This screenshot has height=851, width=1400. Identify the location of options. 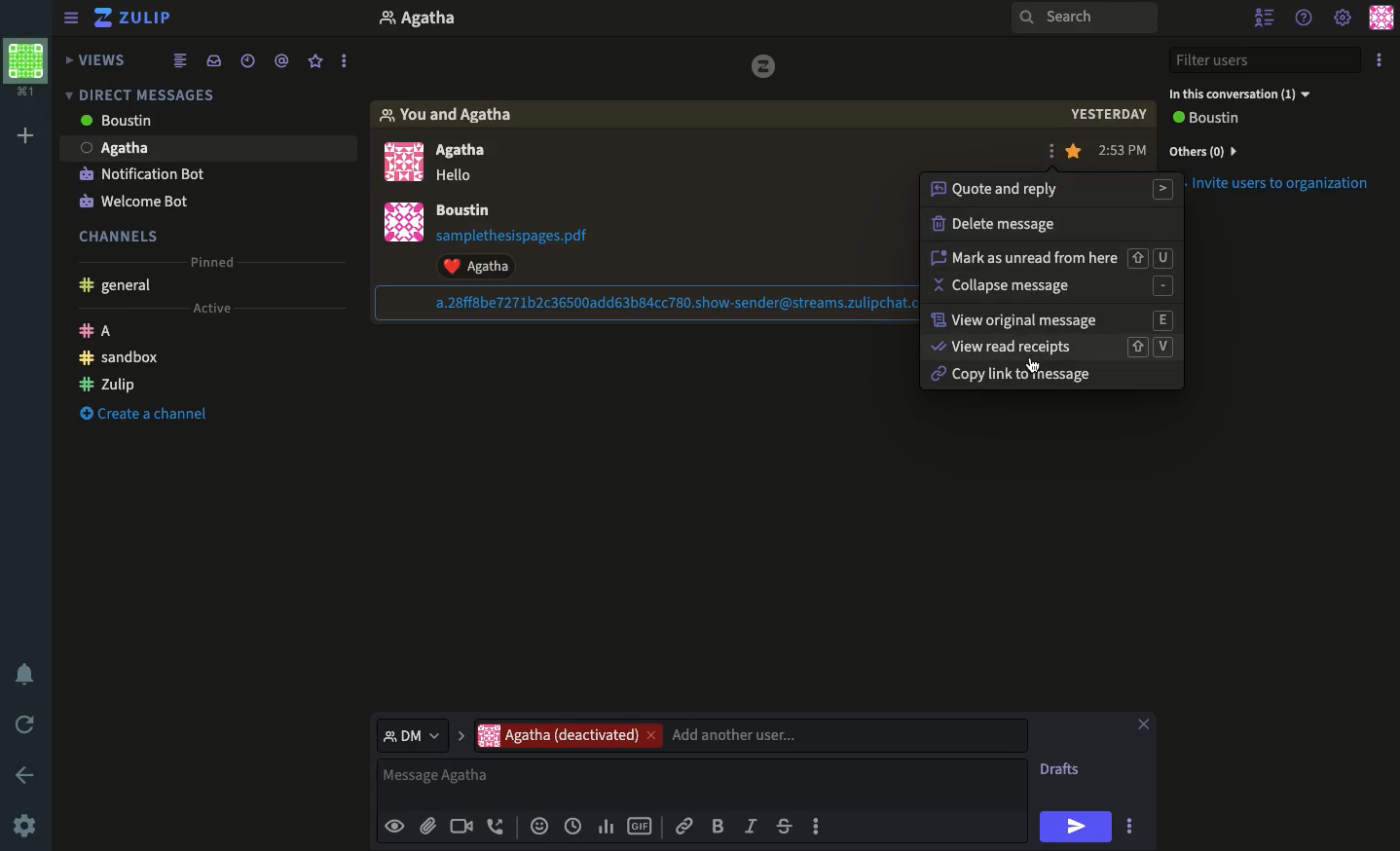
(346, 56).